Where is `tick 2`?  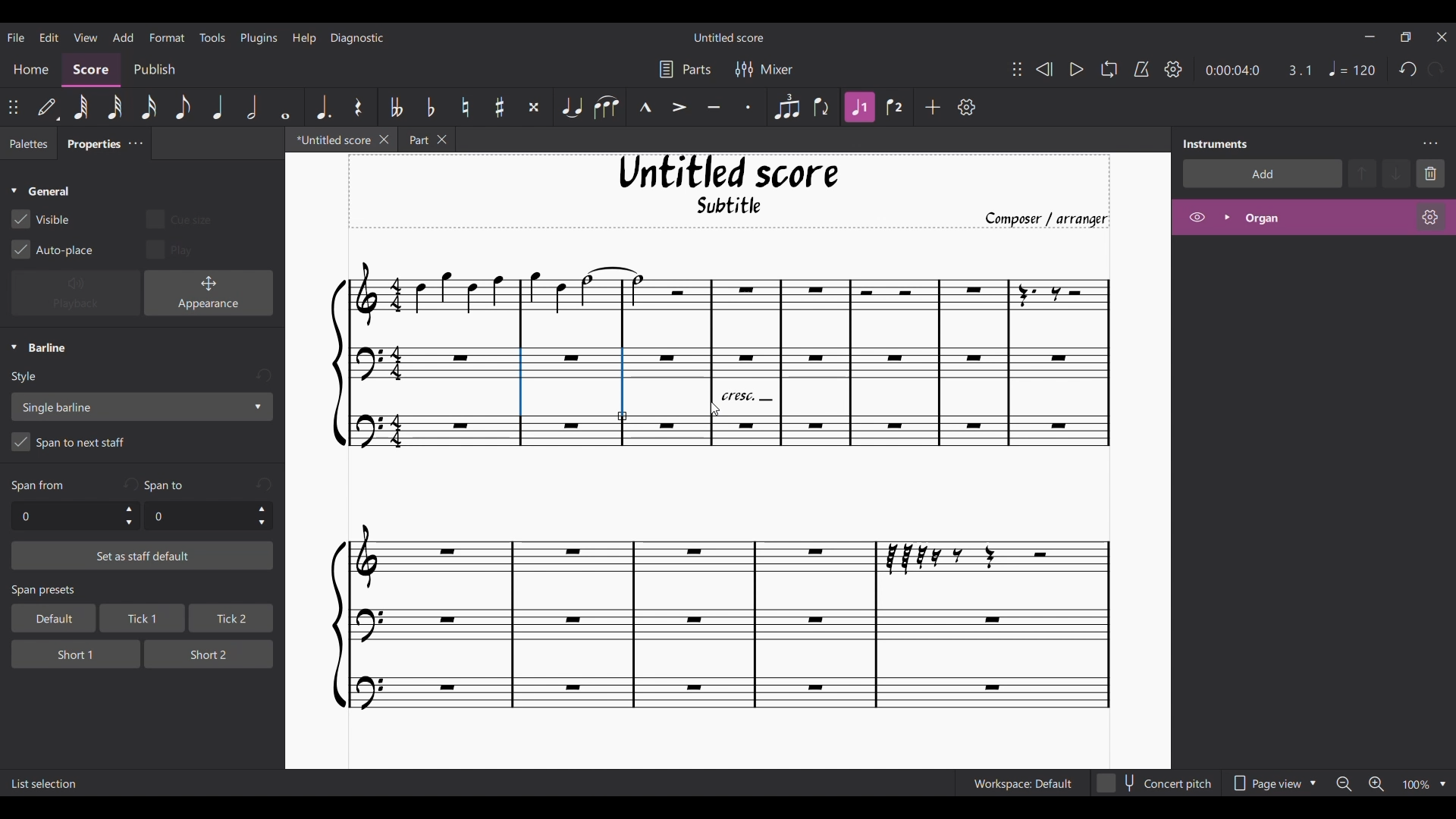 tick 2 is located at coordinates (230, 619).